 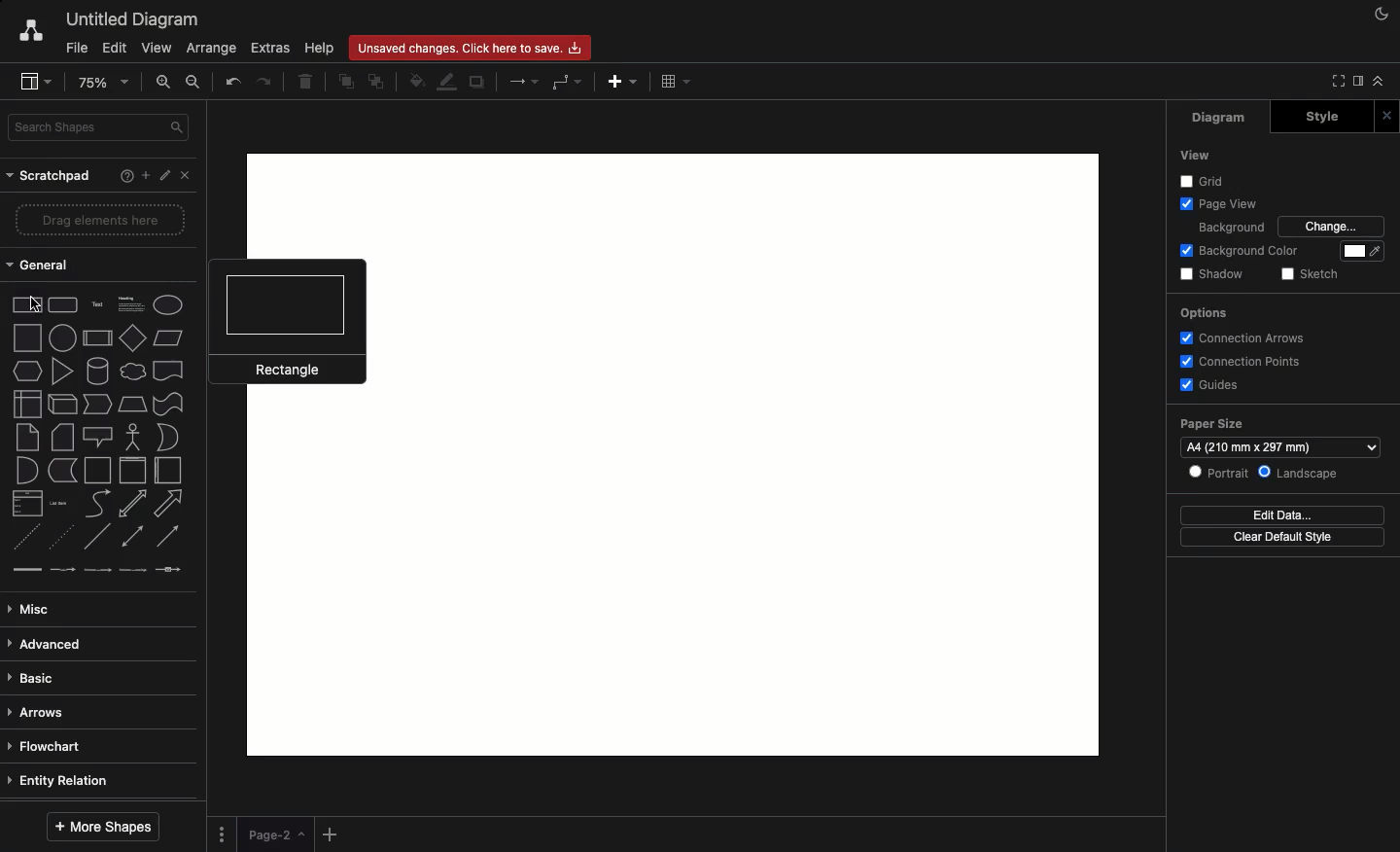 What do you see at coordinates (471, 50) in the screenshot?
I see `Unsaved` at bounding box center [471, 50].